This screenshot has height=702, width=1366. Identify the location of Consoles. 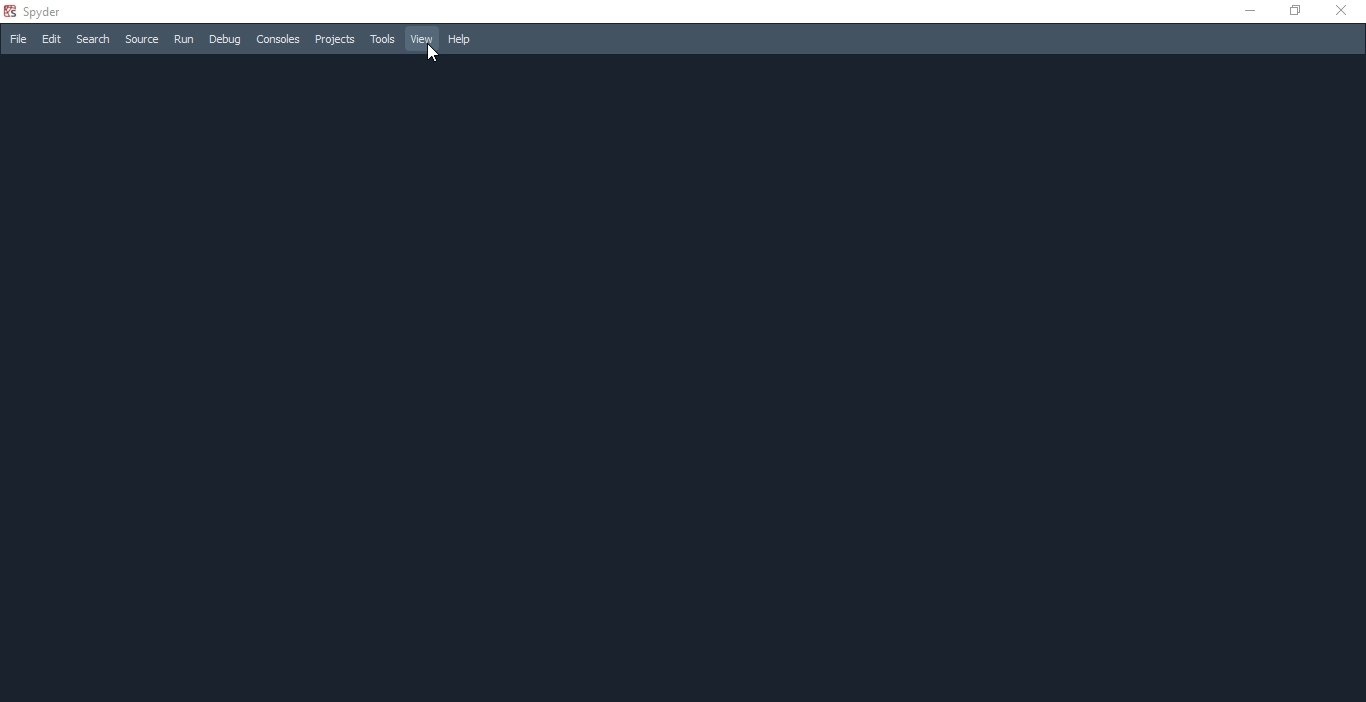
(280, 38).